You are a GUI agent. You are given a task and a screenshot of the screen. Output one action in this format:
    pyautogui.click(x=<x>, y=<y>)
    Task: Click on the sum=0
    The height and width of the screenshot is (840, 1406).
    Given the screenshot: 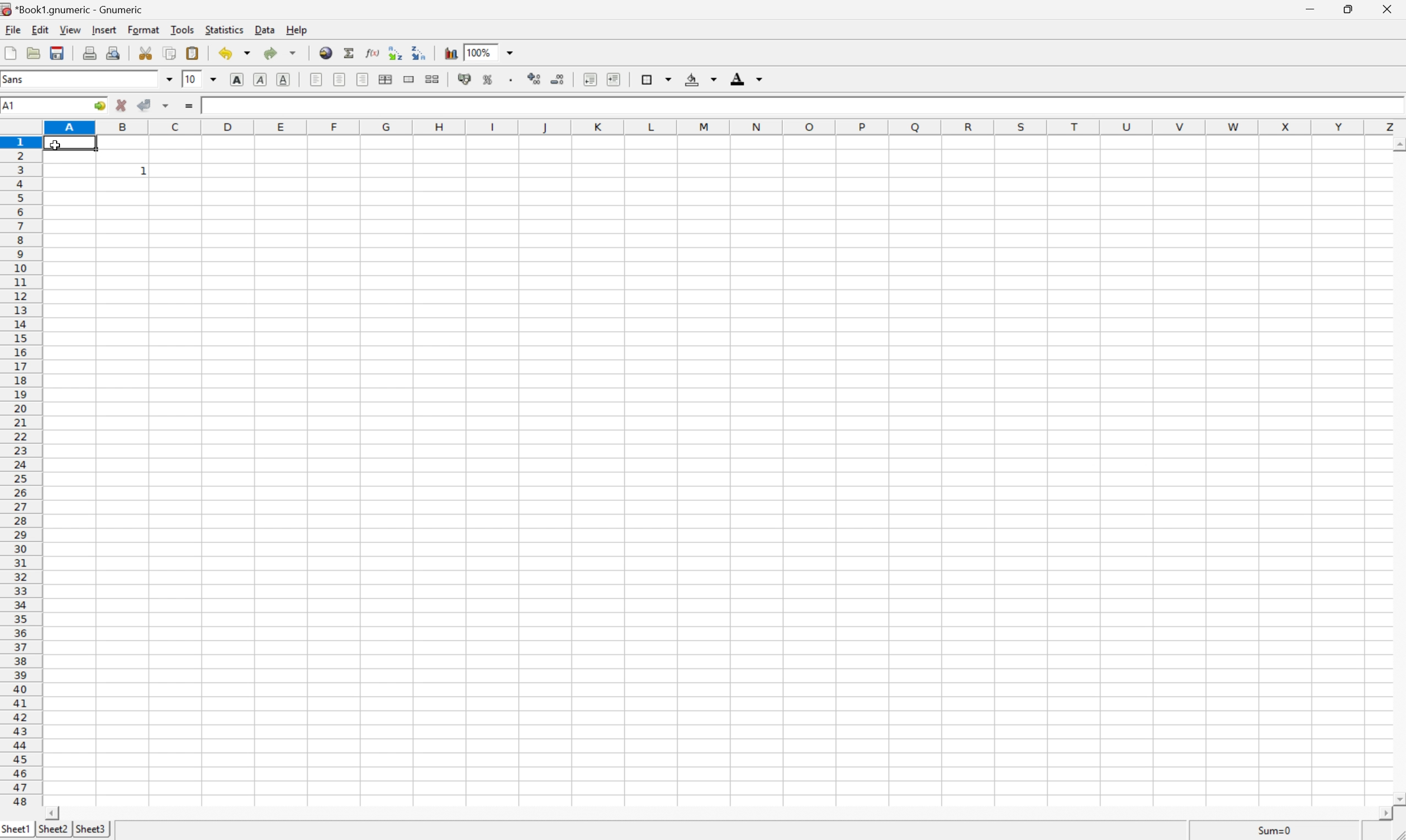 What is the action you would take?
    pyautogui.click(x=1279, y=833)
    